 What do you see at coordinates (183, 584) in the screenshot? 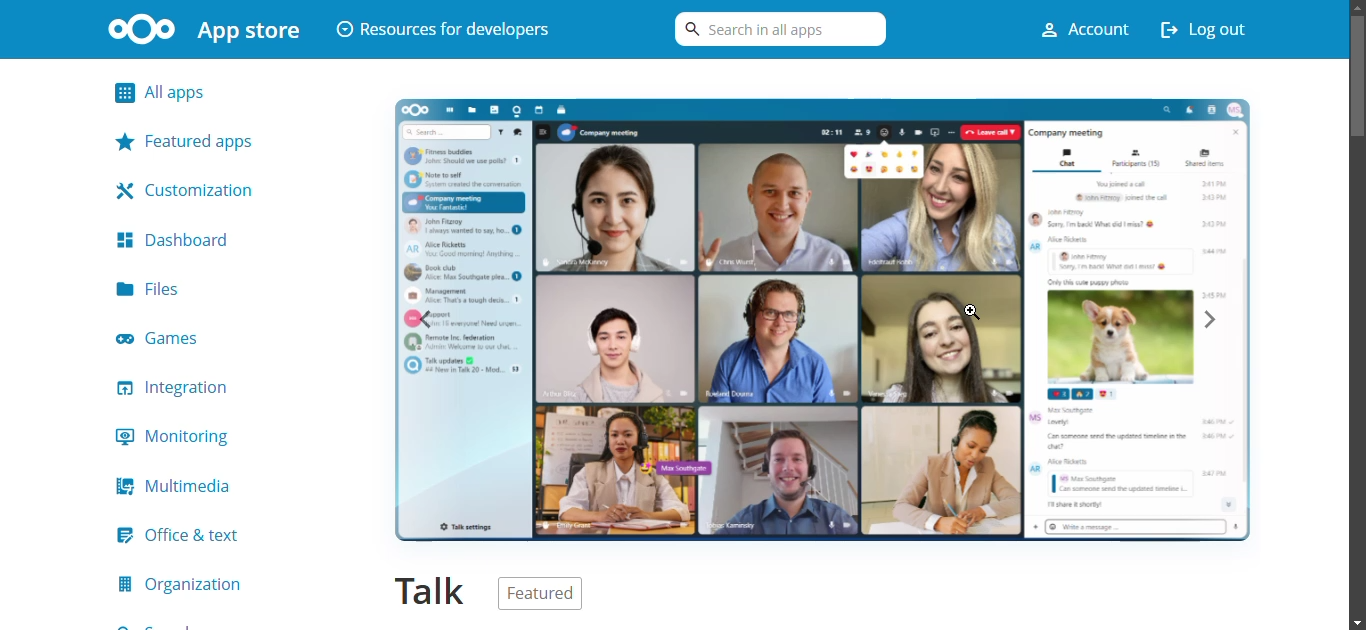
I see `organization` at bounding box center [183, 584].